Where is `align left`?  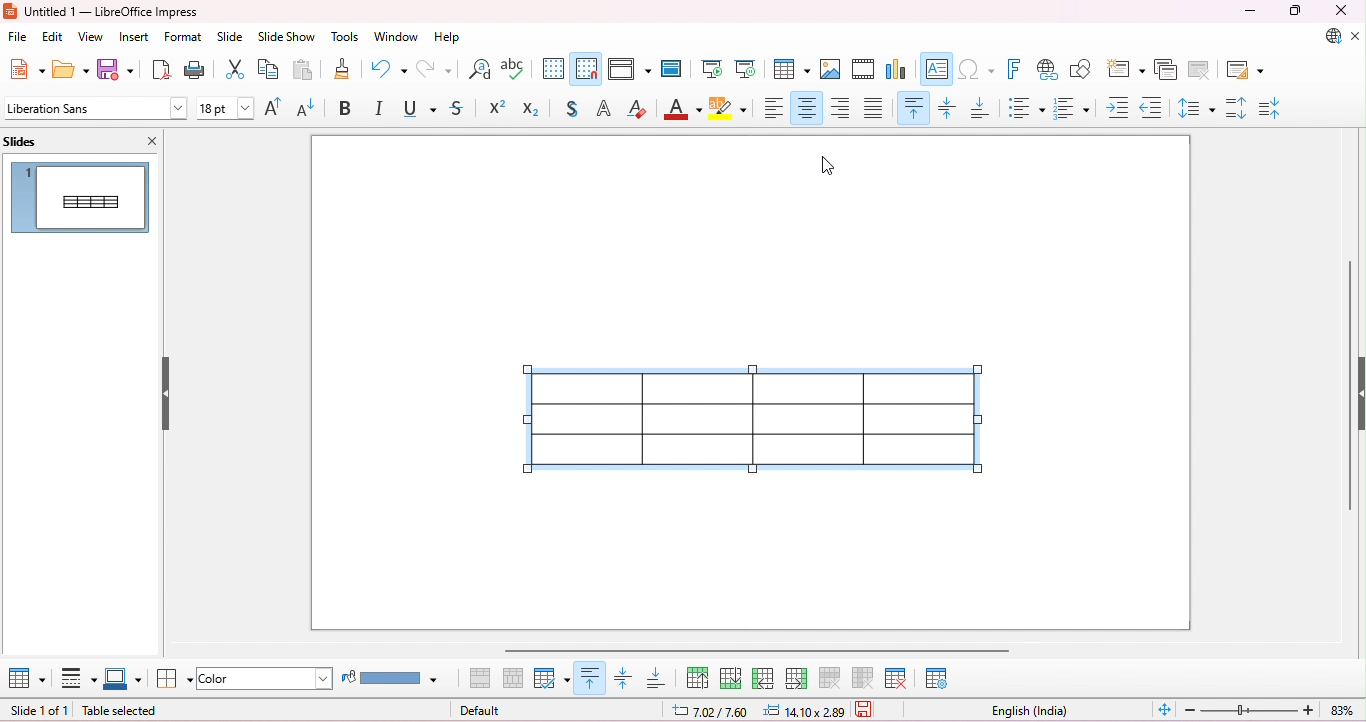 align left is located at coordinates (774, 108).